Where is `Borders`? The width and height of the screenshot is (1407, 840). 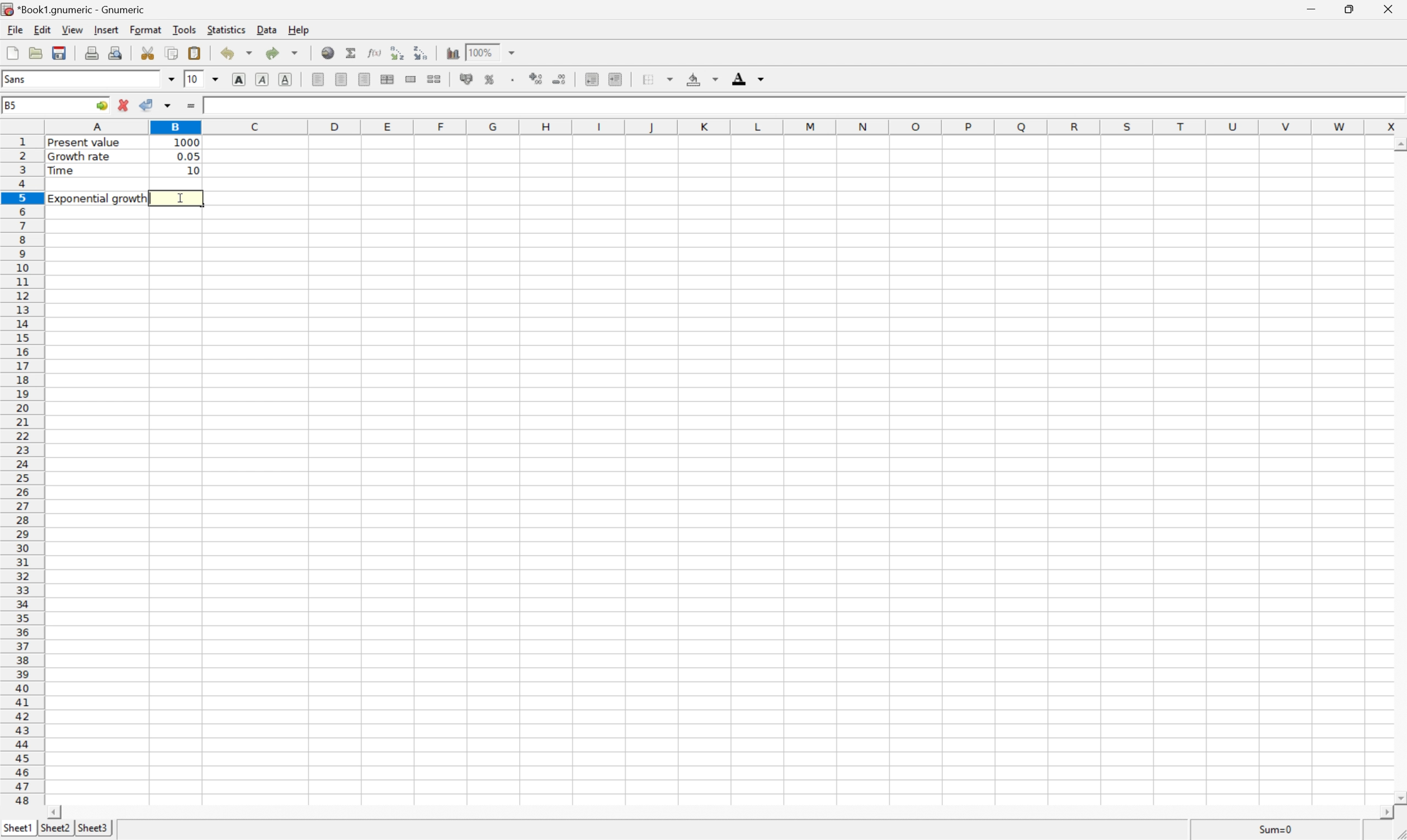 Borders is located at coordinates (655, 79).